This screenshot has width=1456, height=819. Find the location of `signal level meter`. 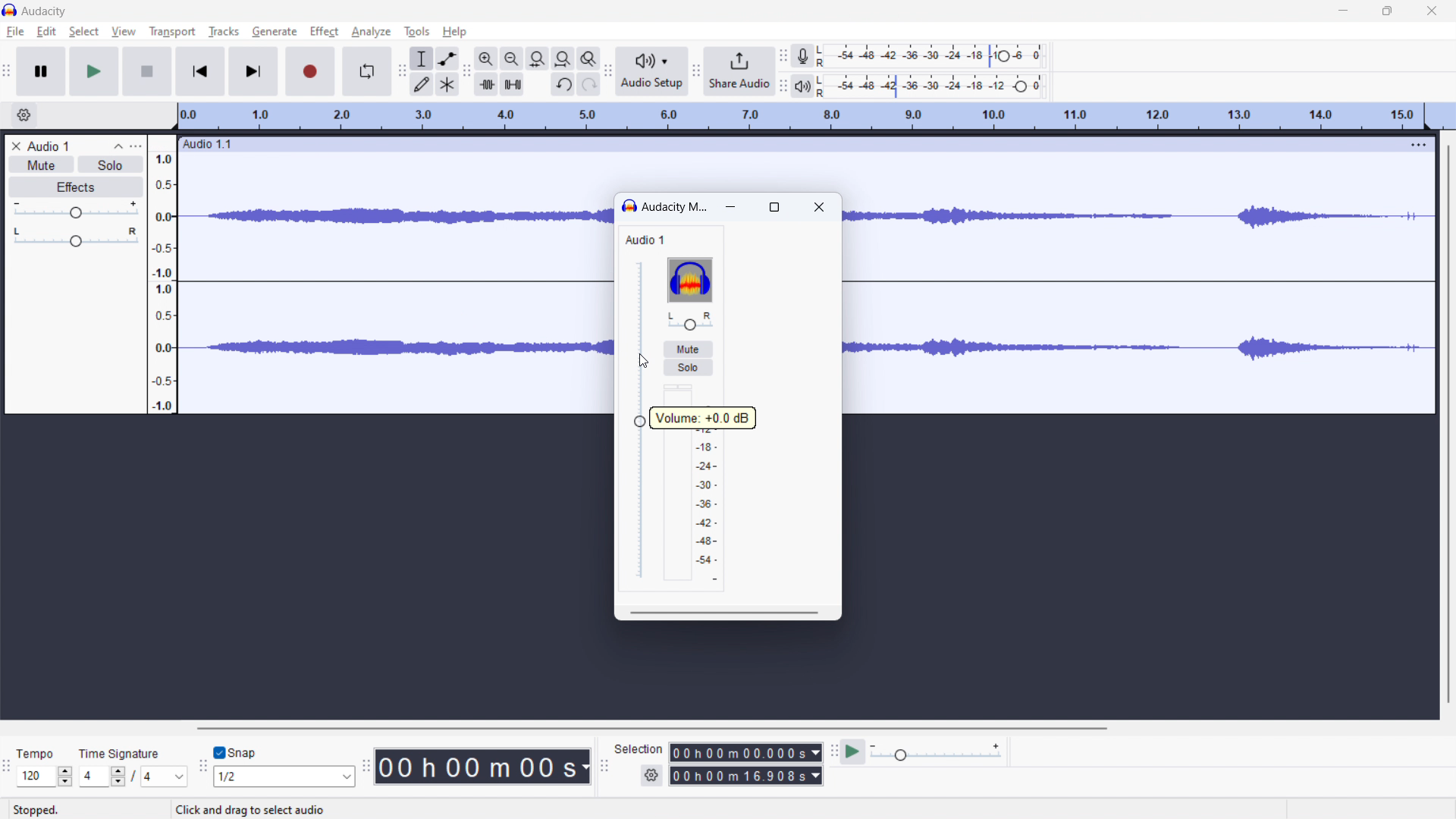

signal level meter is located at coordinates (699, 483).